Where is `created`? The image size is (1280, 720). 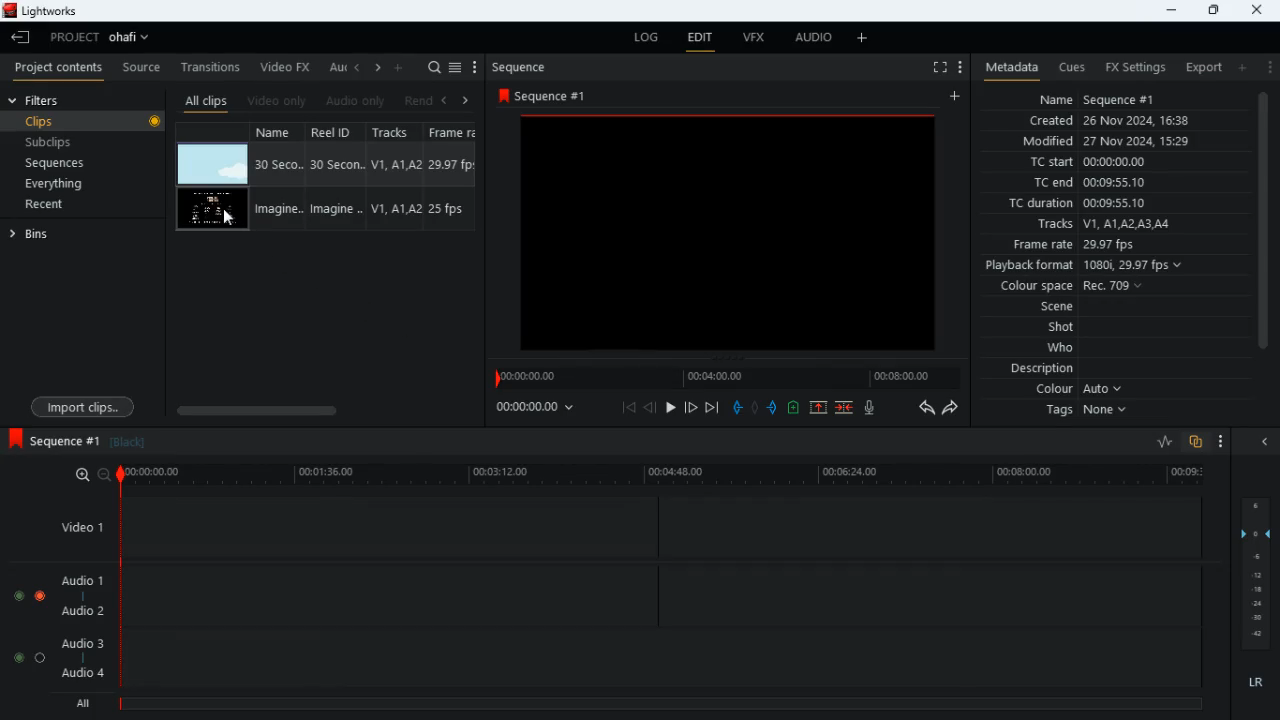 created is located at coordinates (1111, 122).